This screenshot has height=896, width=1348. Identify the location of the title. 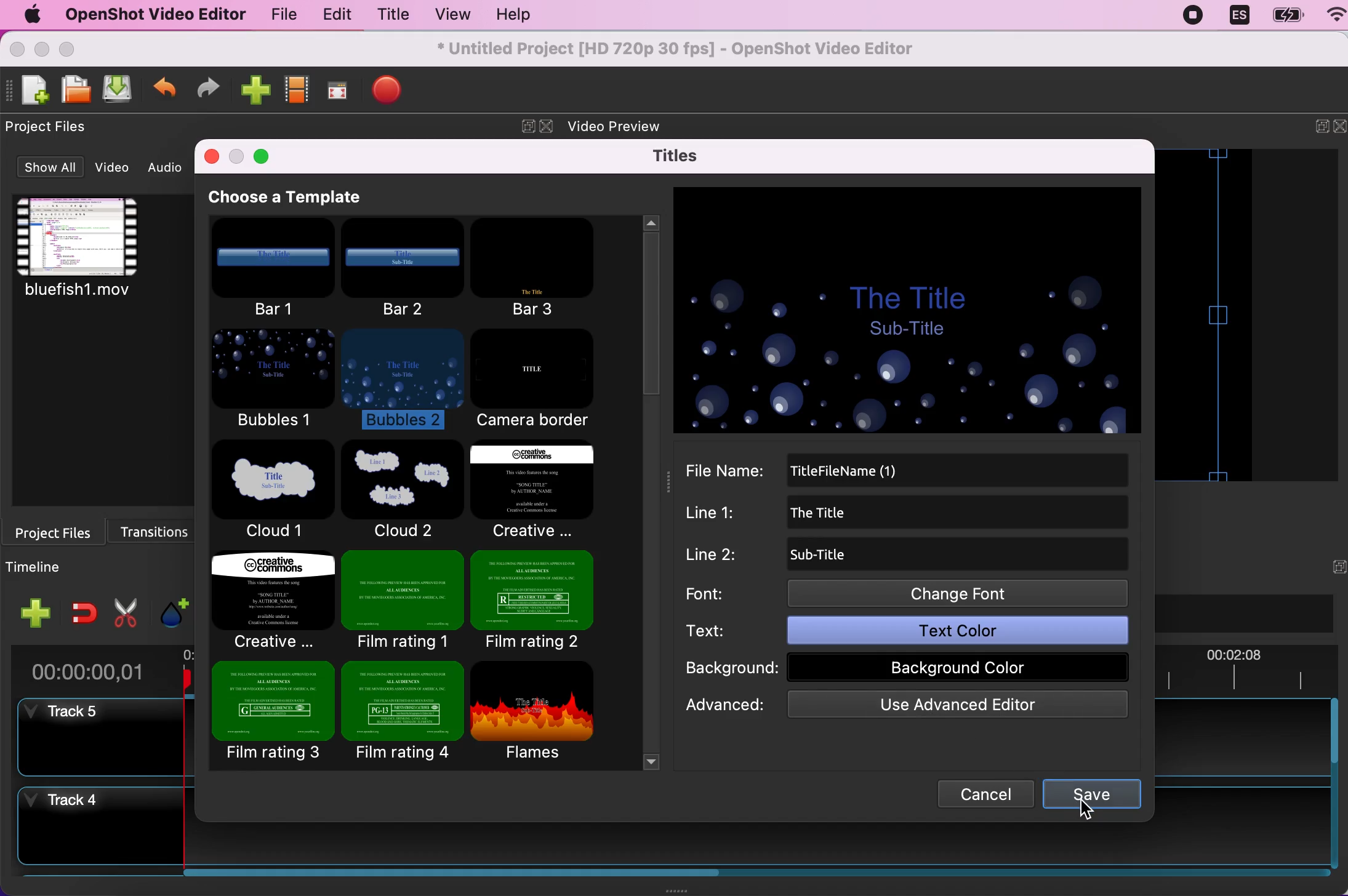
(854, 514).